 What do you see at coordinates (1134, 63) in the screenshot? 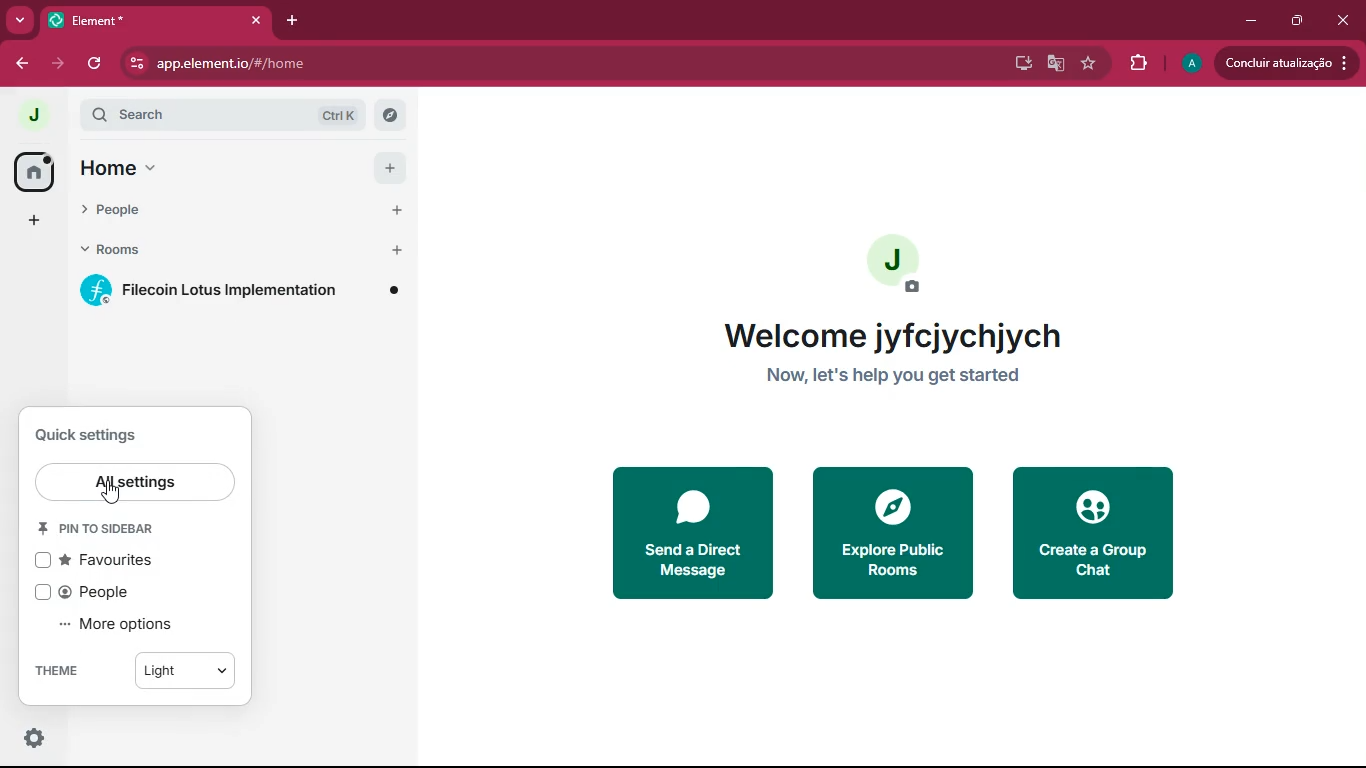
I see `extensions` at bounding box center [1134, 63].